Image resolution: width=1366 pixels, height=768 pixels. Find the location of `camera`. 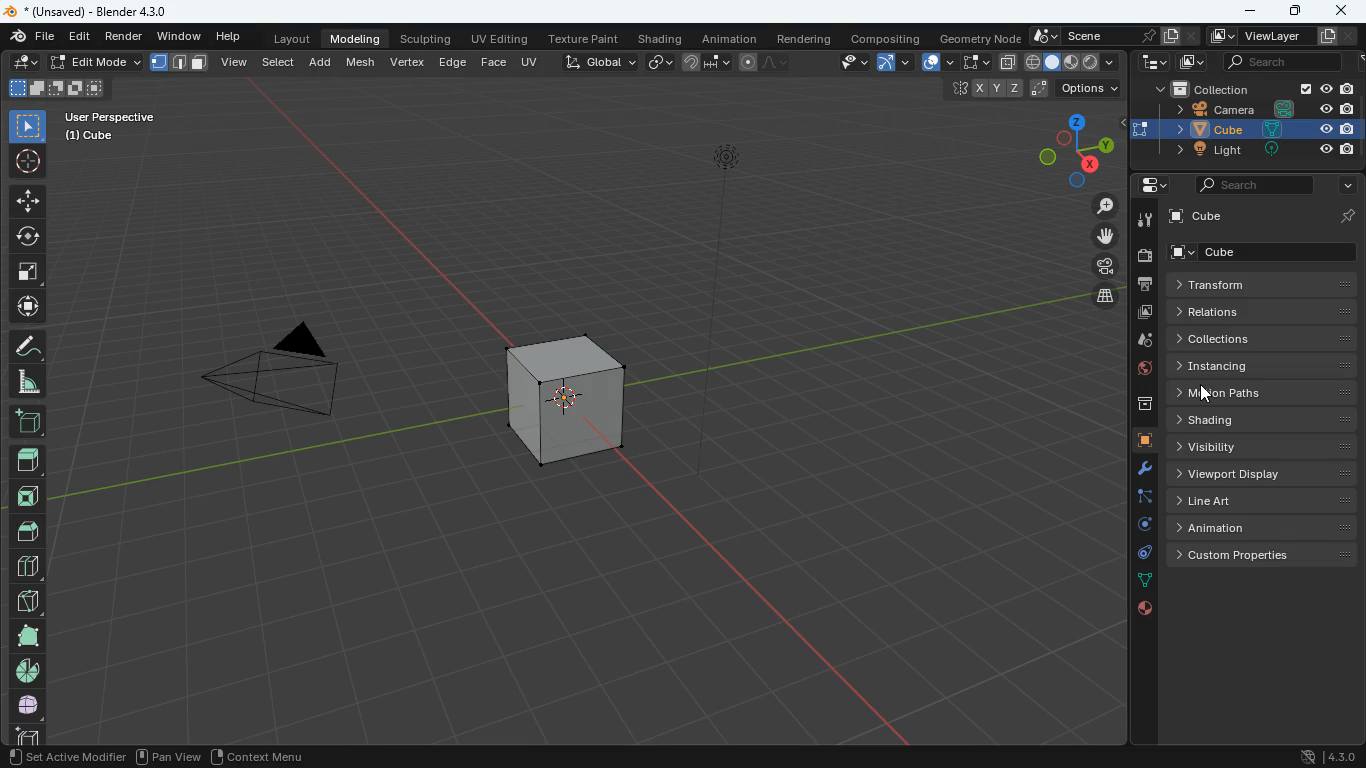

camera is located at coordinates (1256, 109).